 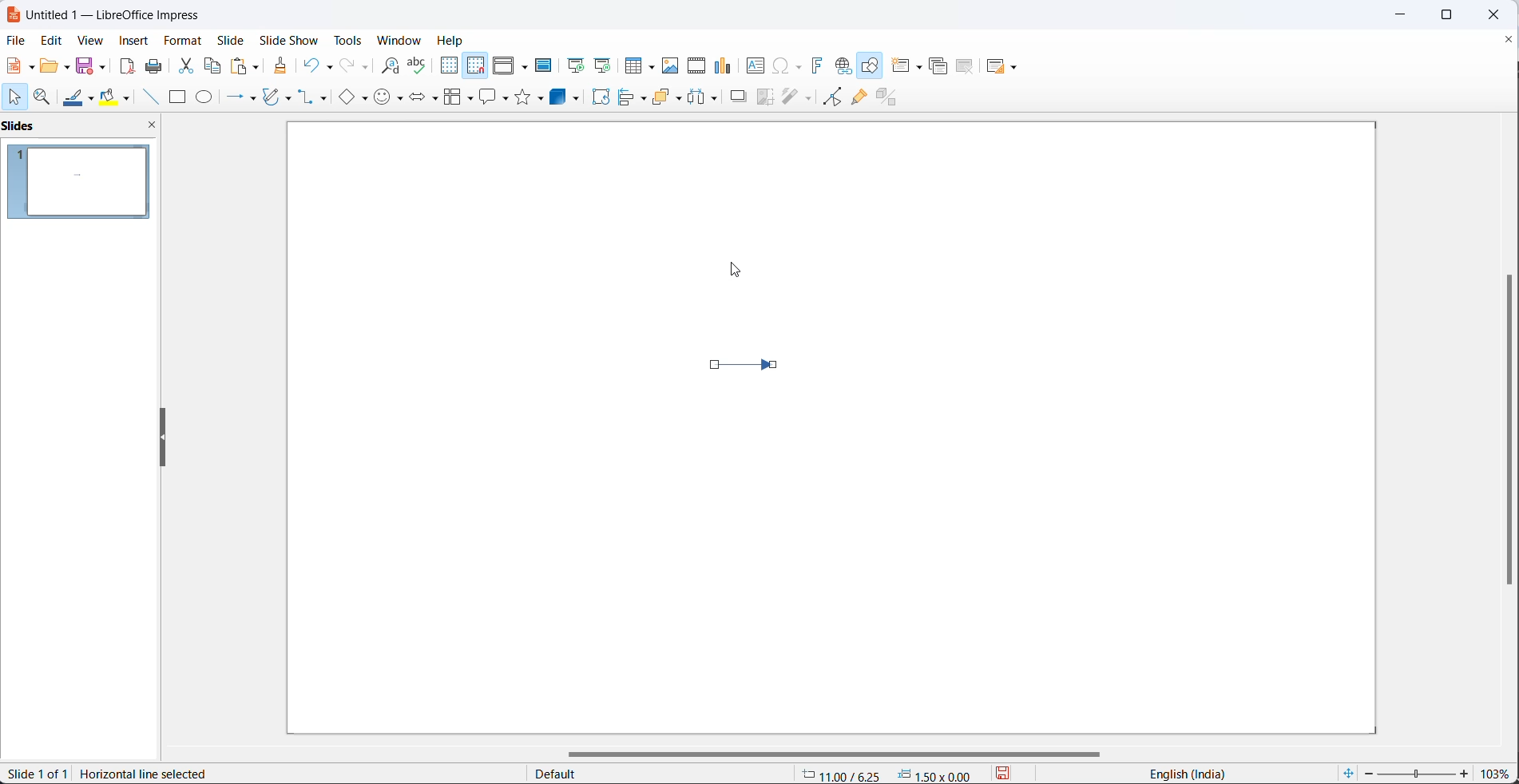 I want to click on find and replace, so click(x=386, y=65).